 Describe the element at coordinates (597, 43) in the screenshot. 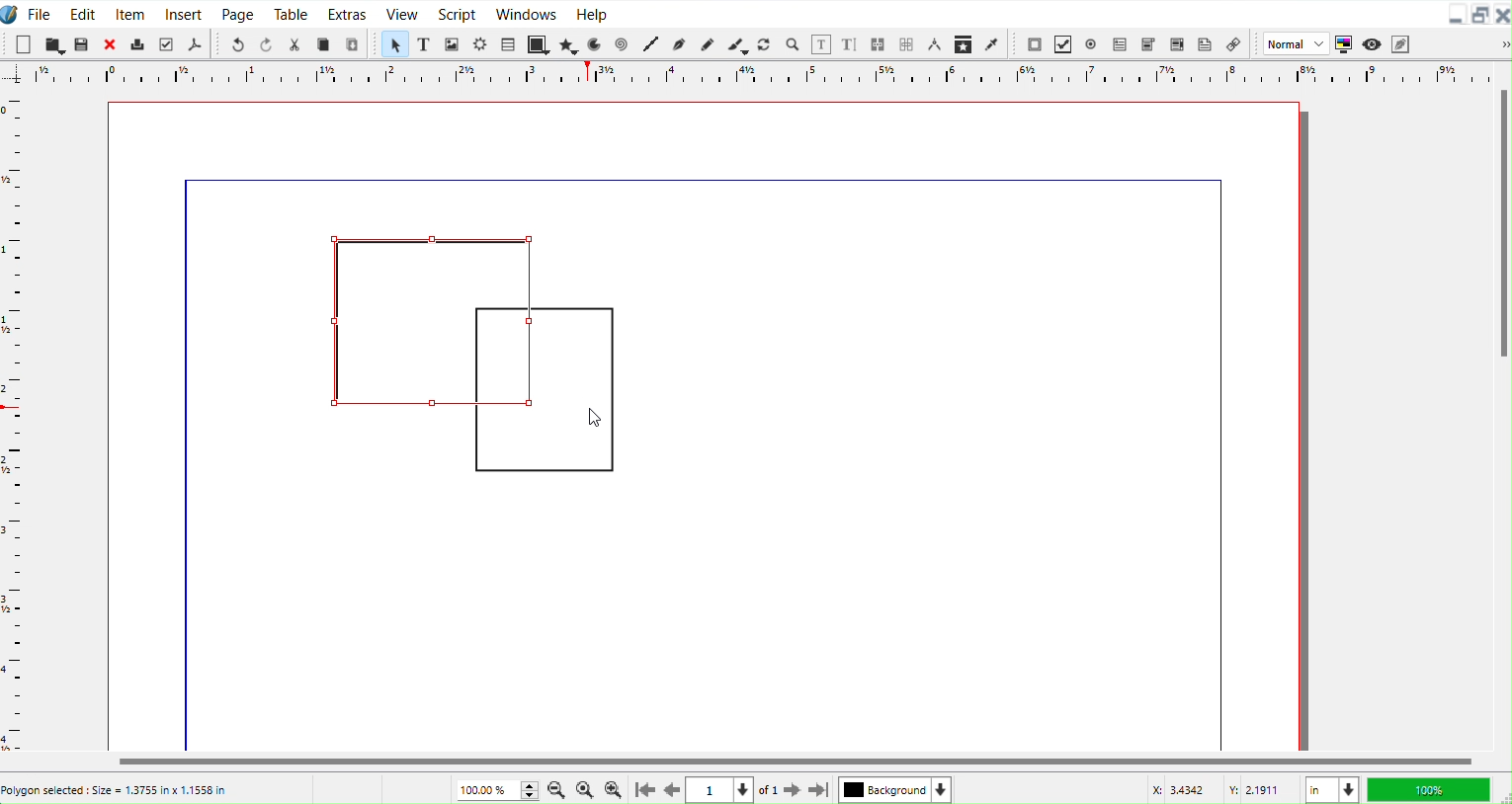

I see `Arc` at that location.